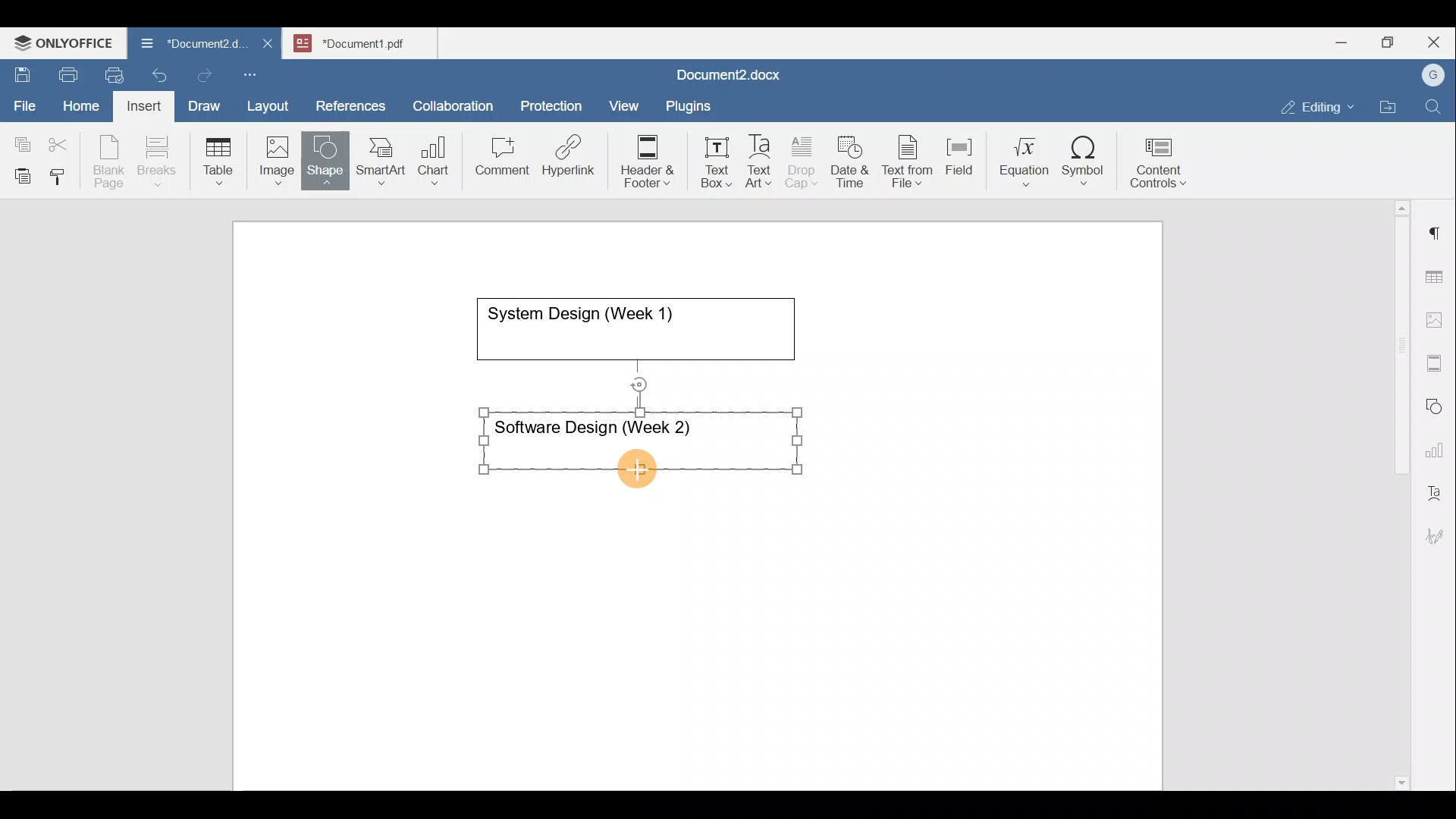 This screenshot has width=1456, height=819. What do you see at coordinates (281, 155) in the screenshot?
I see `Image` at bounding box center [281, 155].